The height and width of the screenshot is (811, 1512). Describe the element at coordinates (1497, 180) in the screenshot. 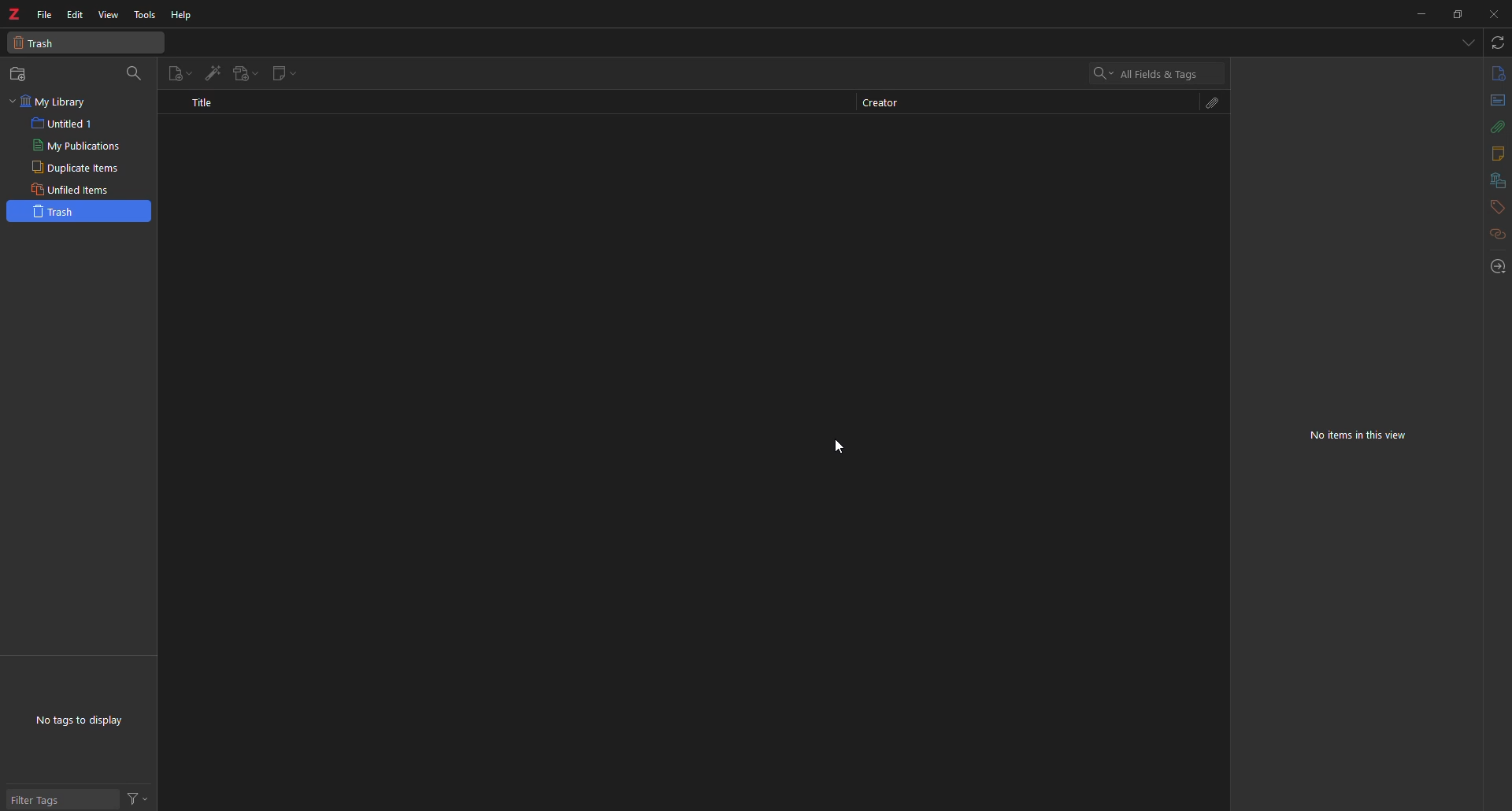

I see `library` at that location.